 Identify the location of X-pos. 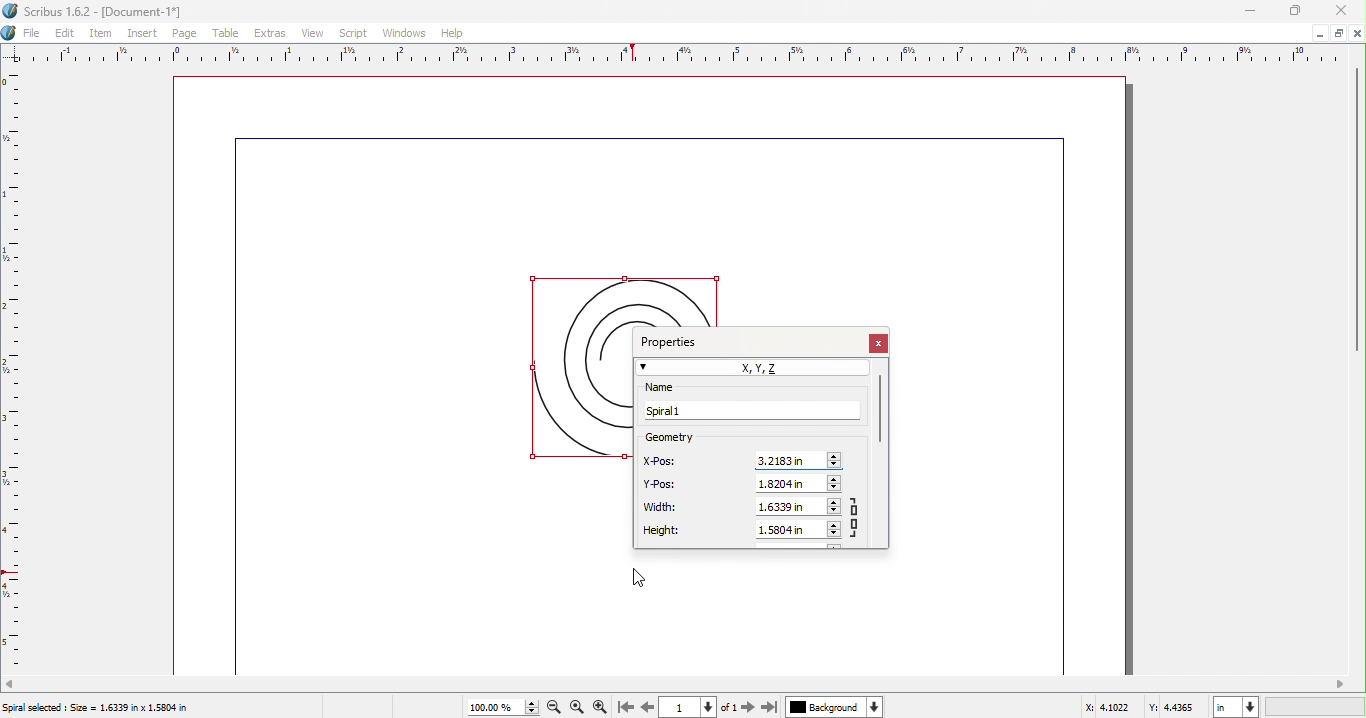
(662, 460).